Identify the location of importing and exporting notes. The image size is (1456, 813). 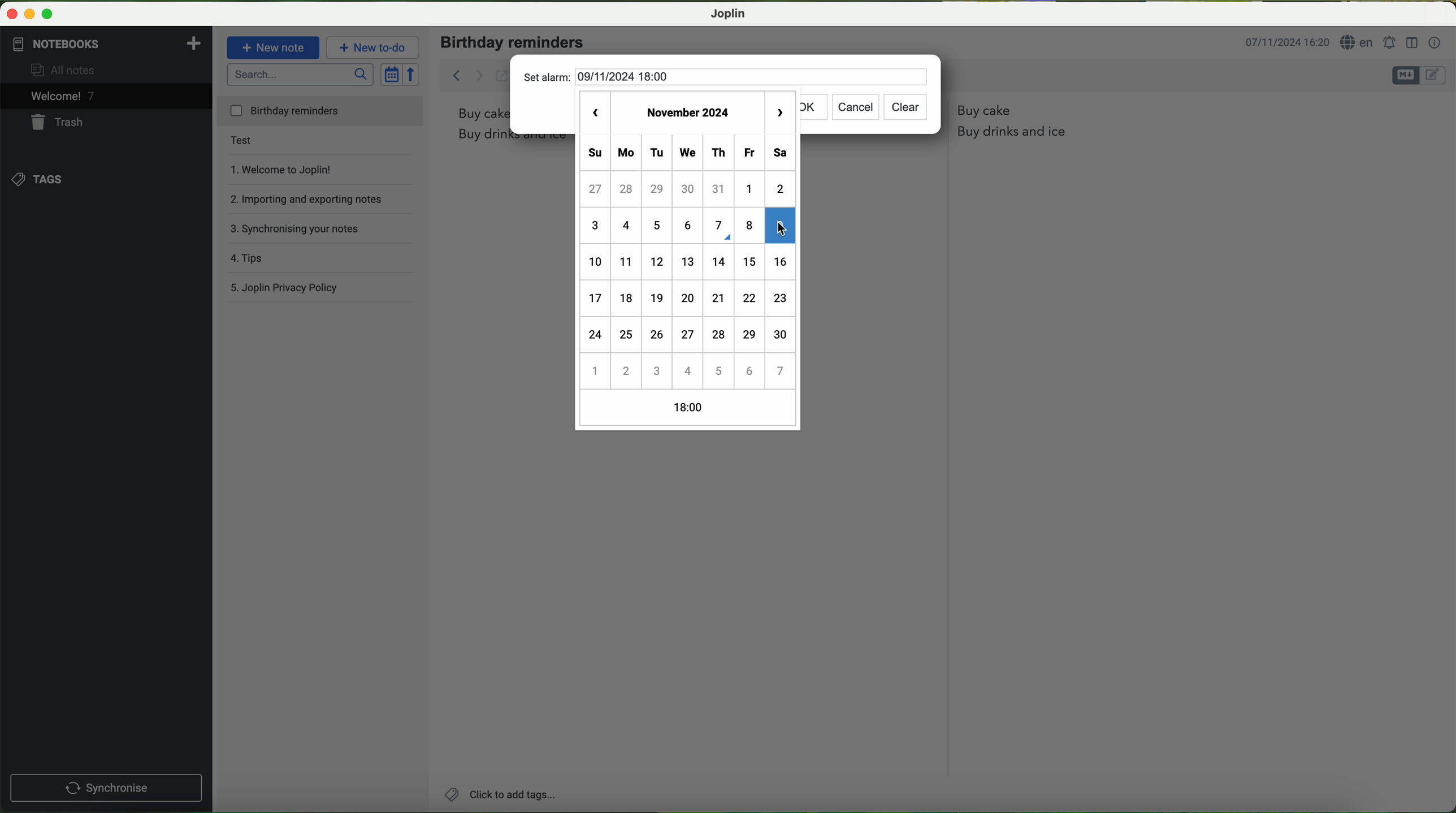
(312, 196).